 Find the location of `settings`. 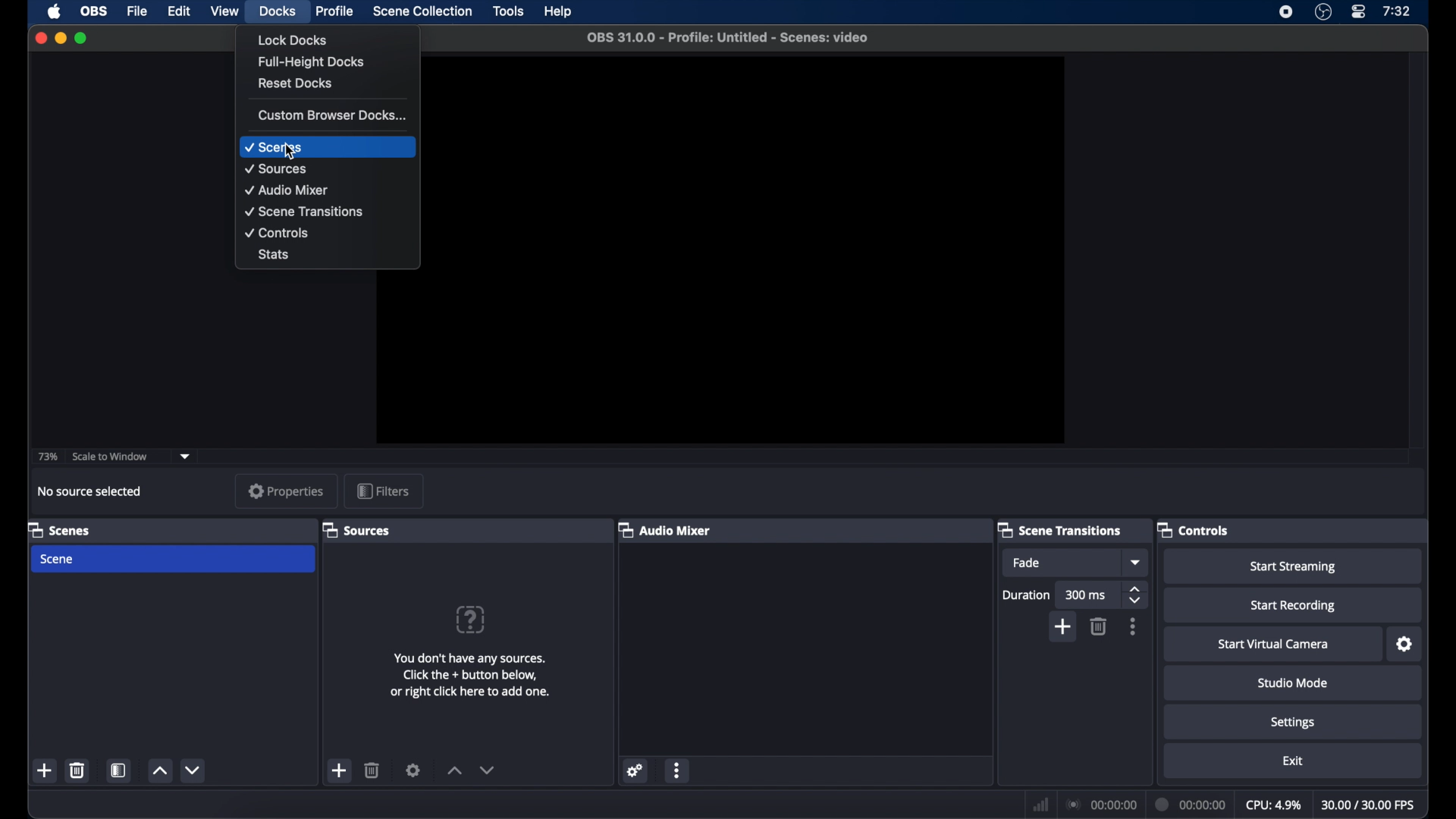

settings is located at coordinates (413, 770).